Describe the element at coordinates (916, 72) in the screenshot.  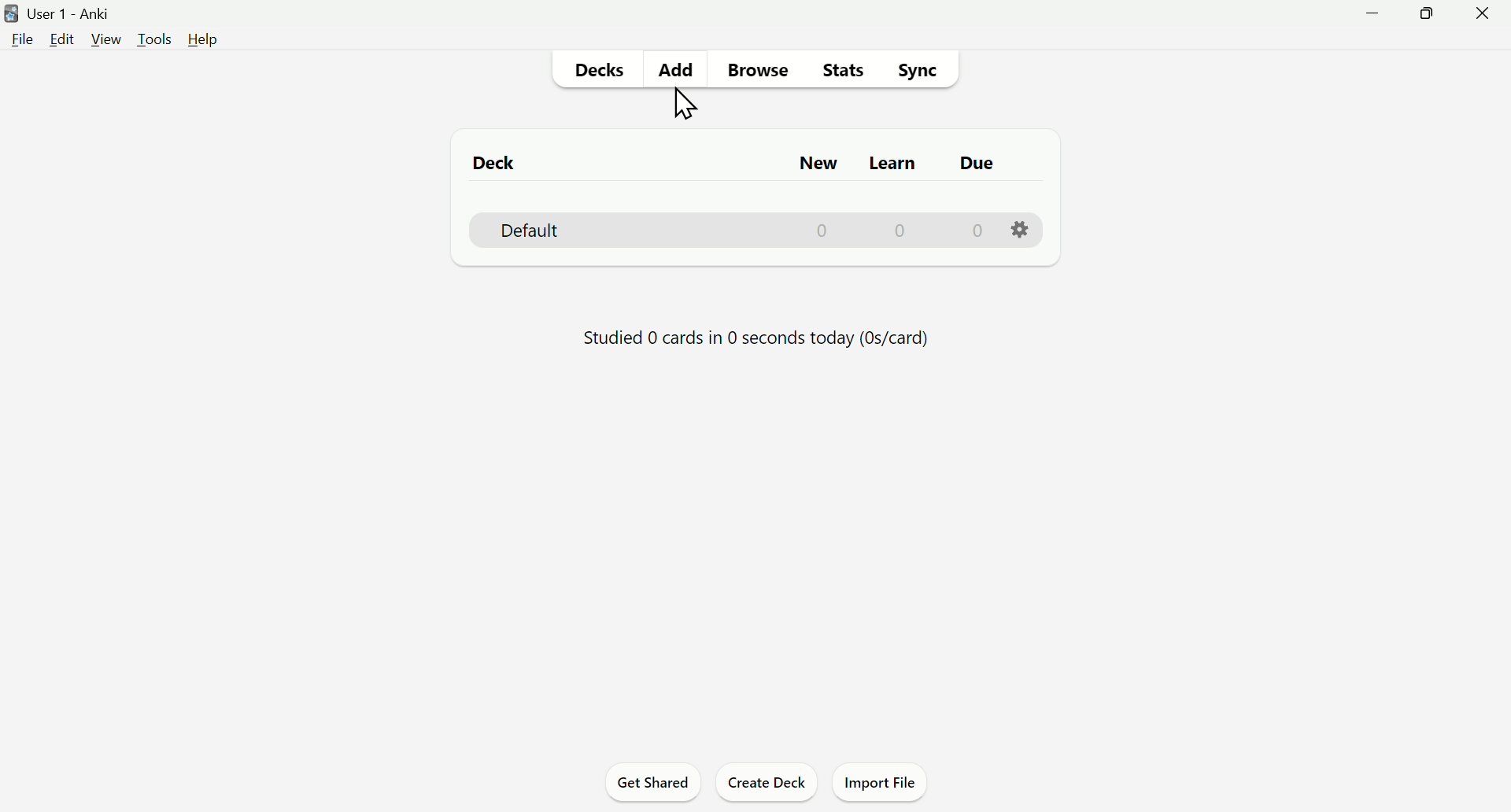
I see `Sync` at that location.